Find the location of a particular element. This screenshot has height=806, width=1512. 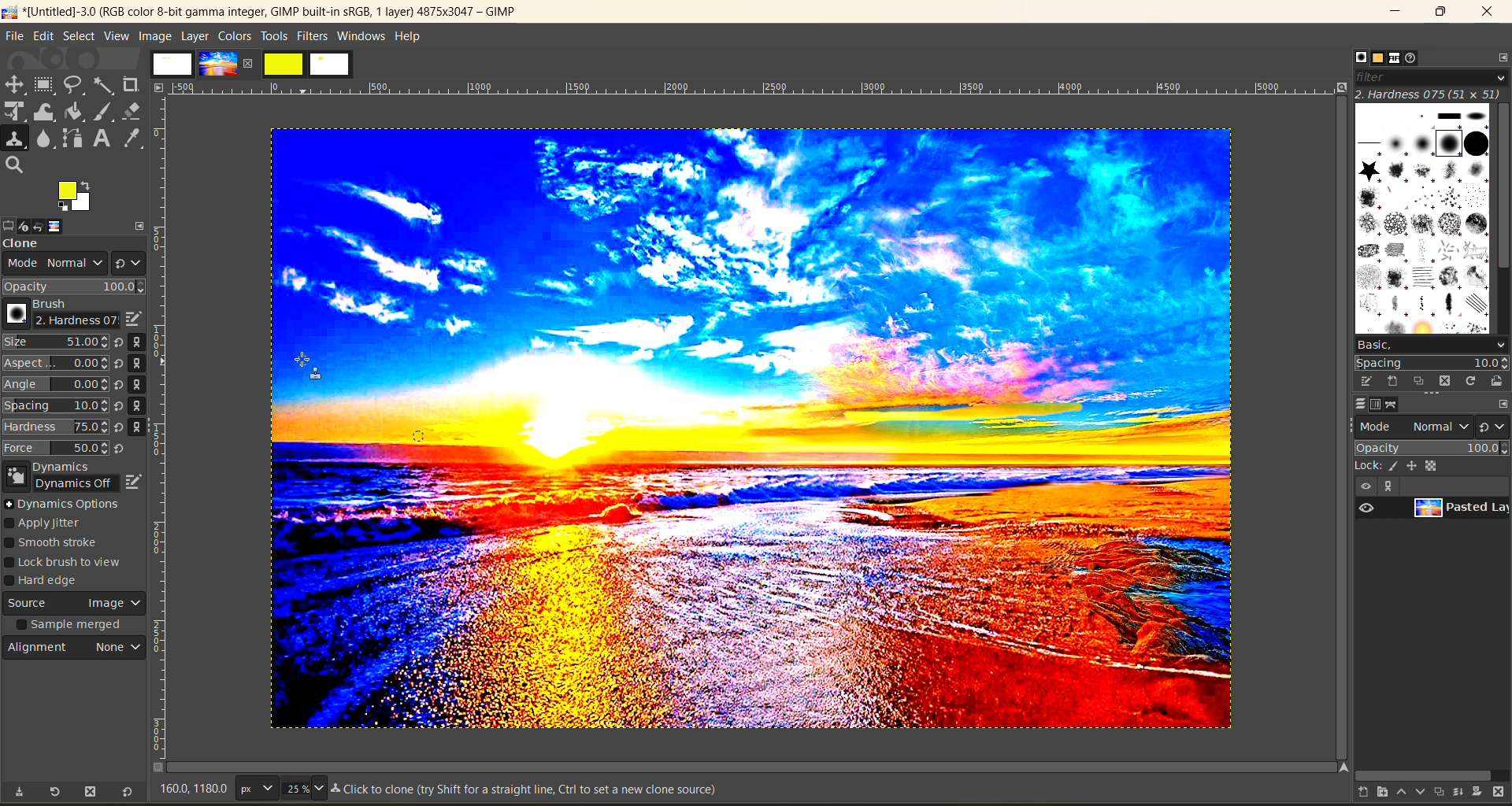

create a layer is located at coordinates (1436, 793).